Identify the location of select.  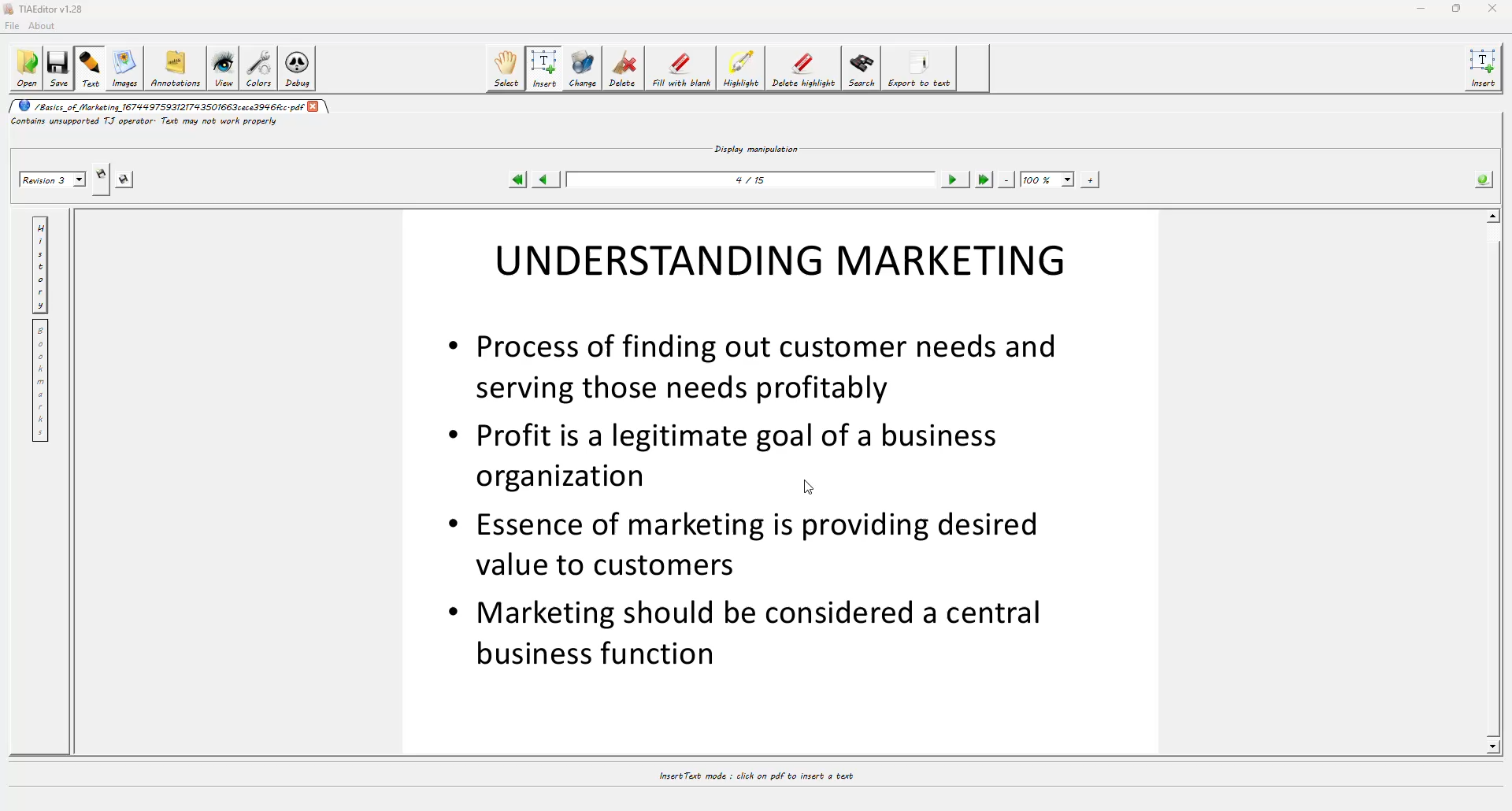
(507, 67).